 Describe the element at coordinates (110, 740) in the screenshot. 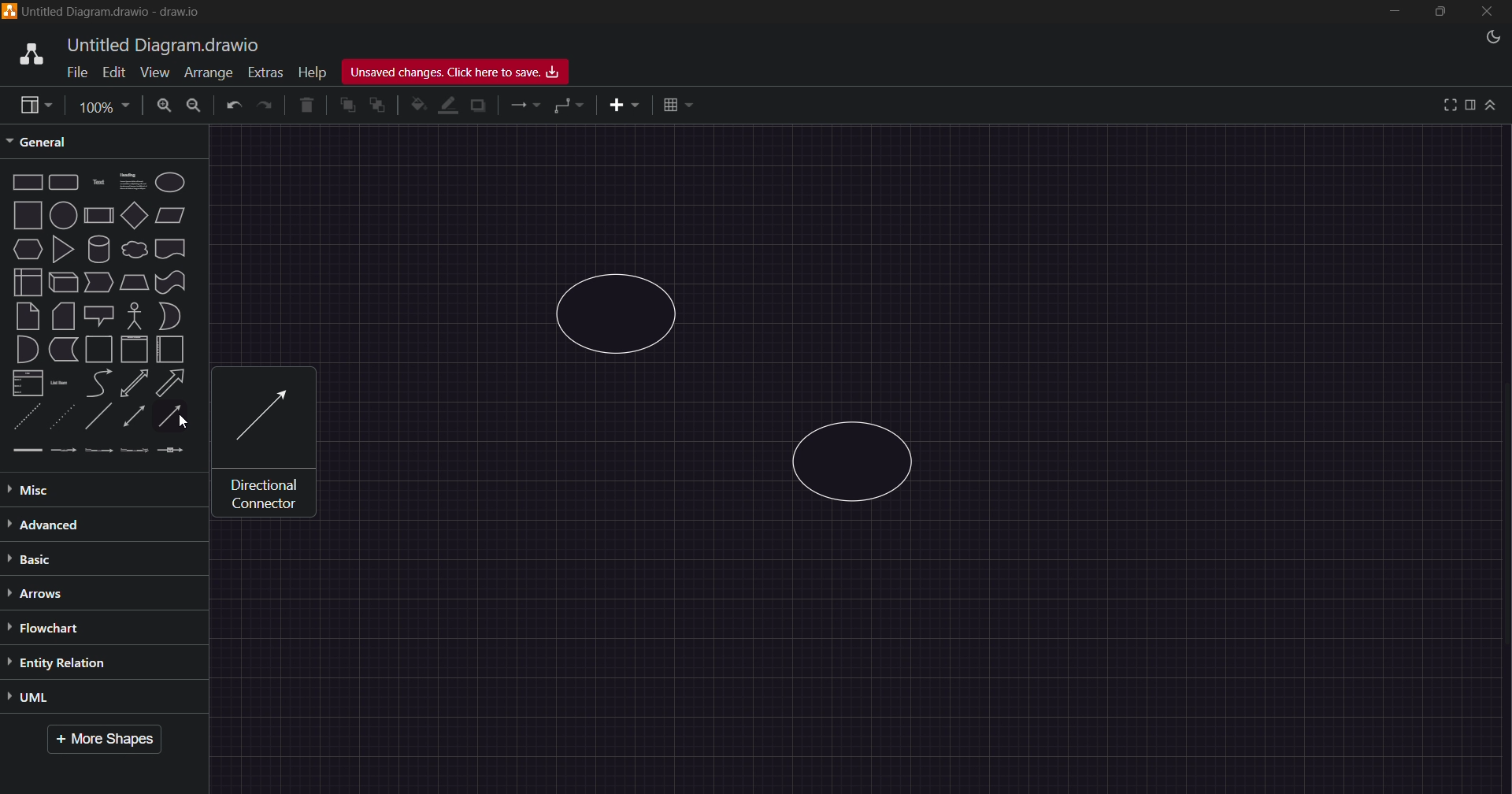

I see `More Shapes` at that location.